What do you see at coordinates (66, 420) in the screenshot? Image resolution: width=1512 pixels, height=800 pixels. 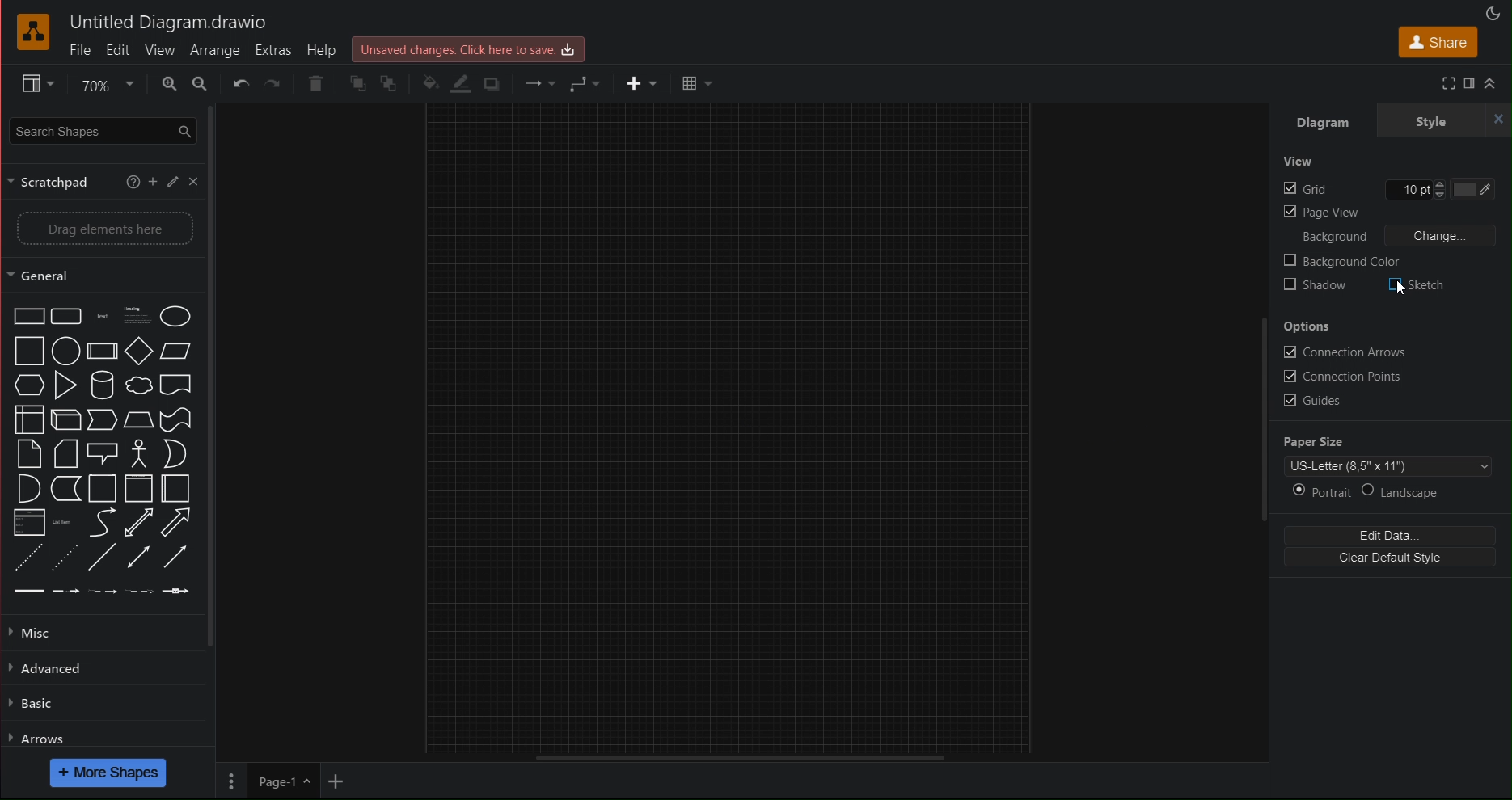 I see `cube` at bounding box center [66, 420].